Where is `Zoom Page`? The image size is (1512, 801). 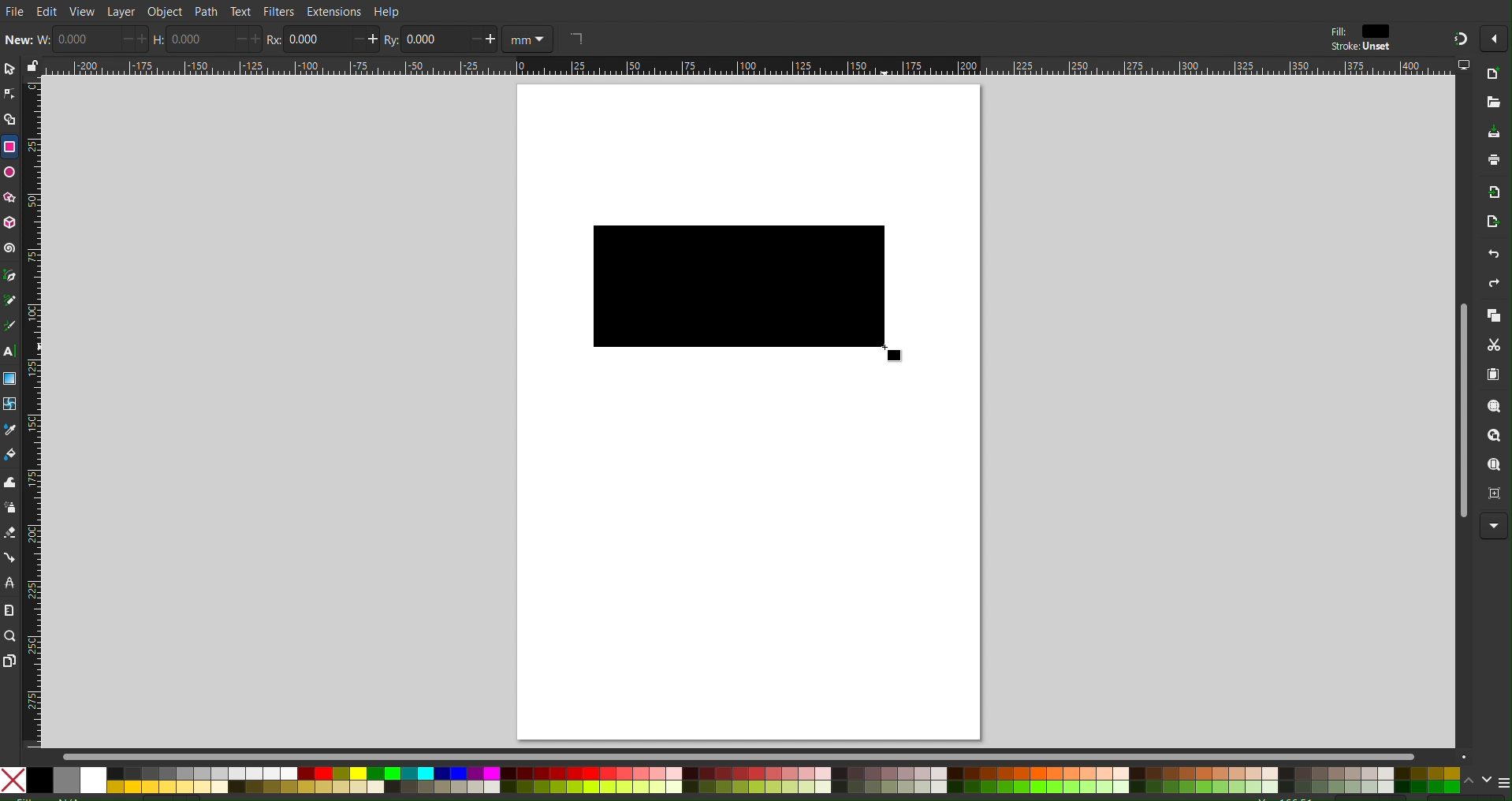 Zoom Page is located at coordinates (1495, 467).